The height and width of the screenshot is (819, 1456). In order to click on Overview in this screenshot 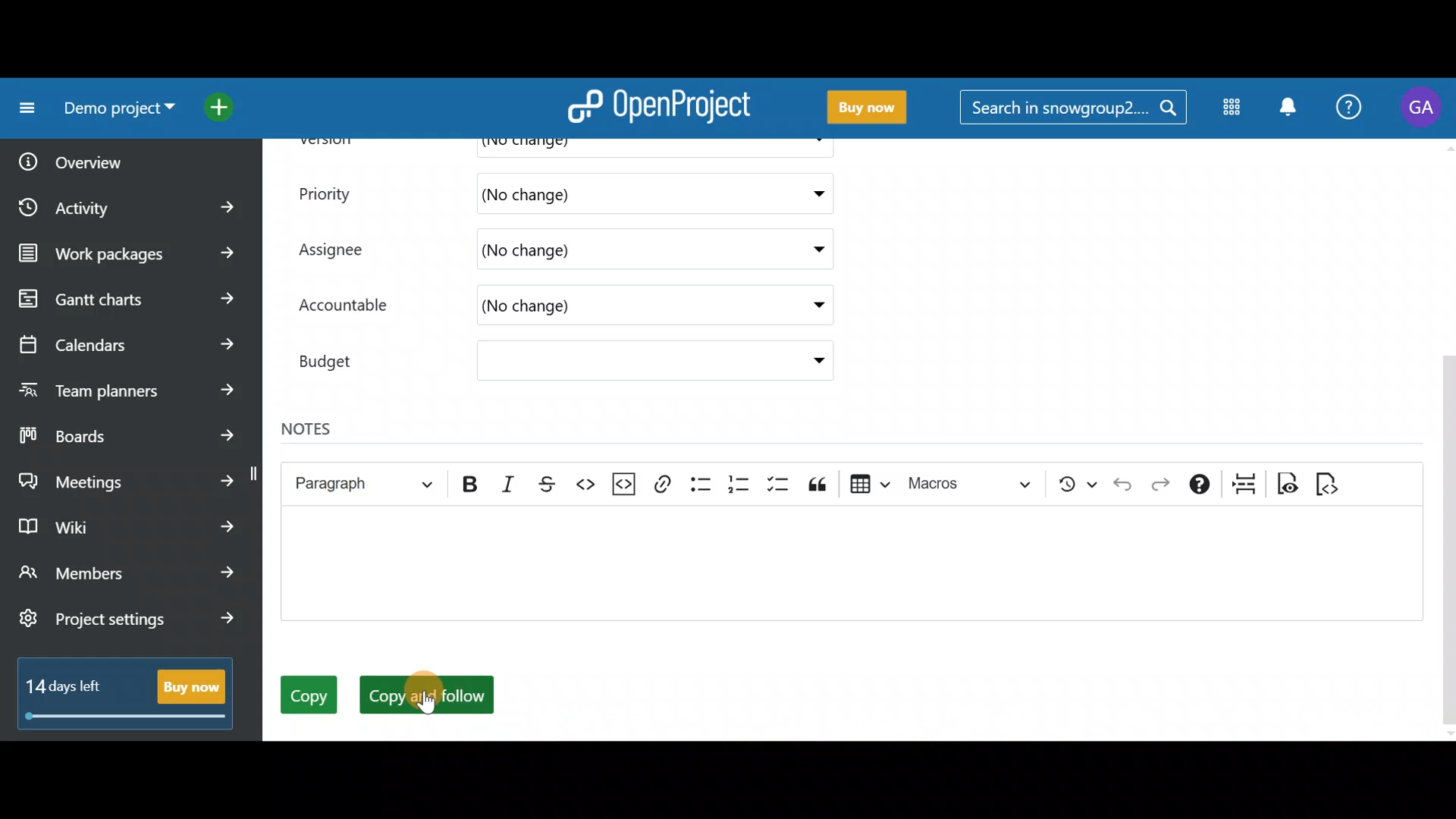, I will do `click(115, 157)`.